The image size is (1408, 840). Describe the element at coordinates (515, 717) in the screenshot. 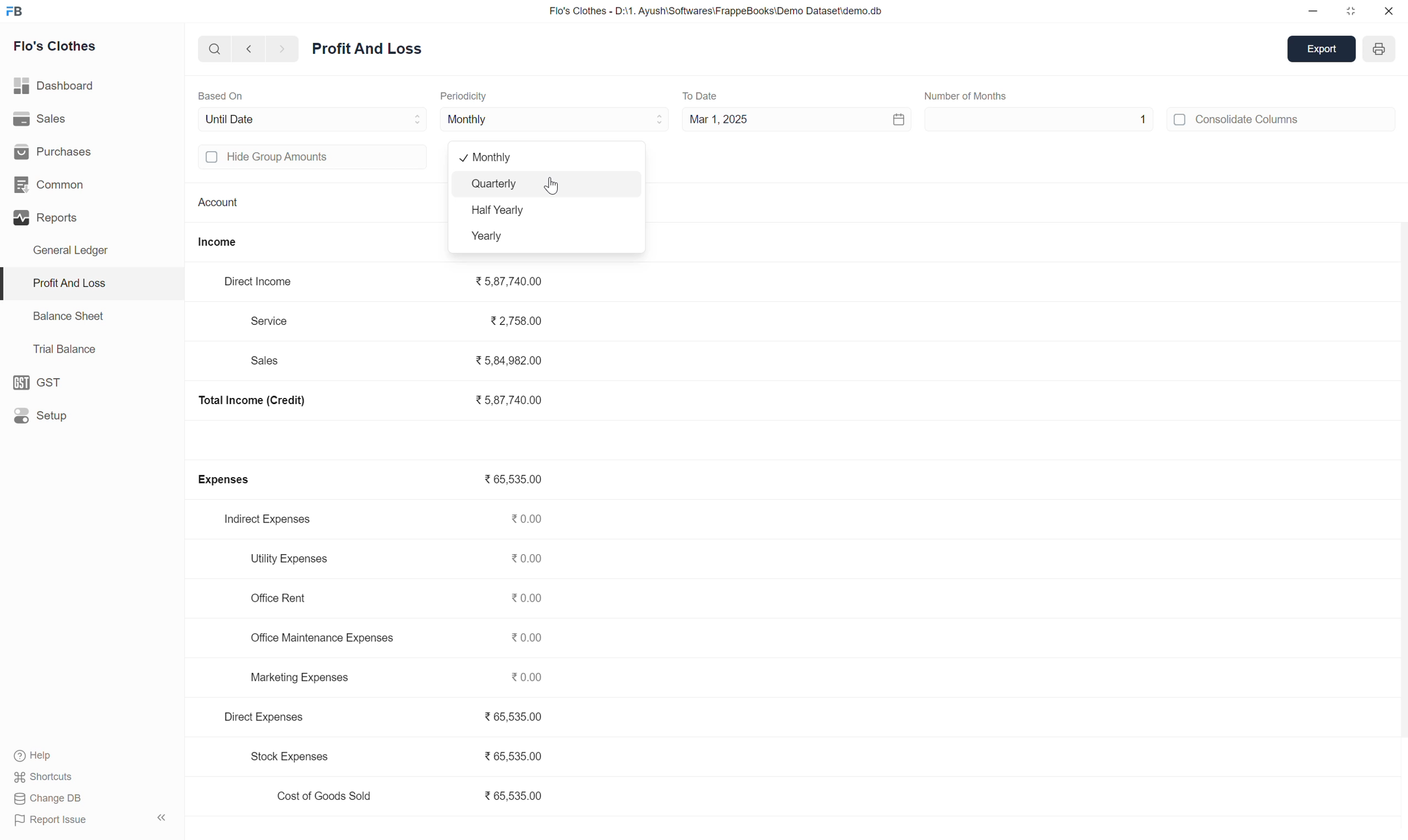

I see `₹65,535.00` at that location.